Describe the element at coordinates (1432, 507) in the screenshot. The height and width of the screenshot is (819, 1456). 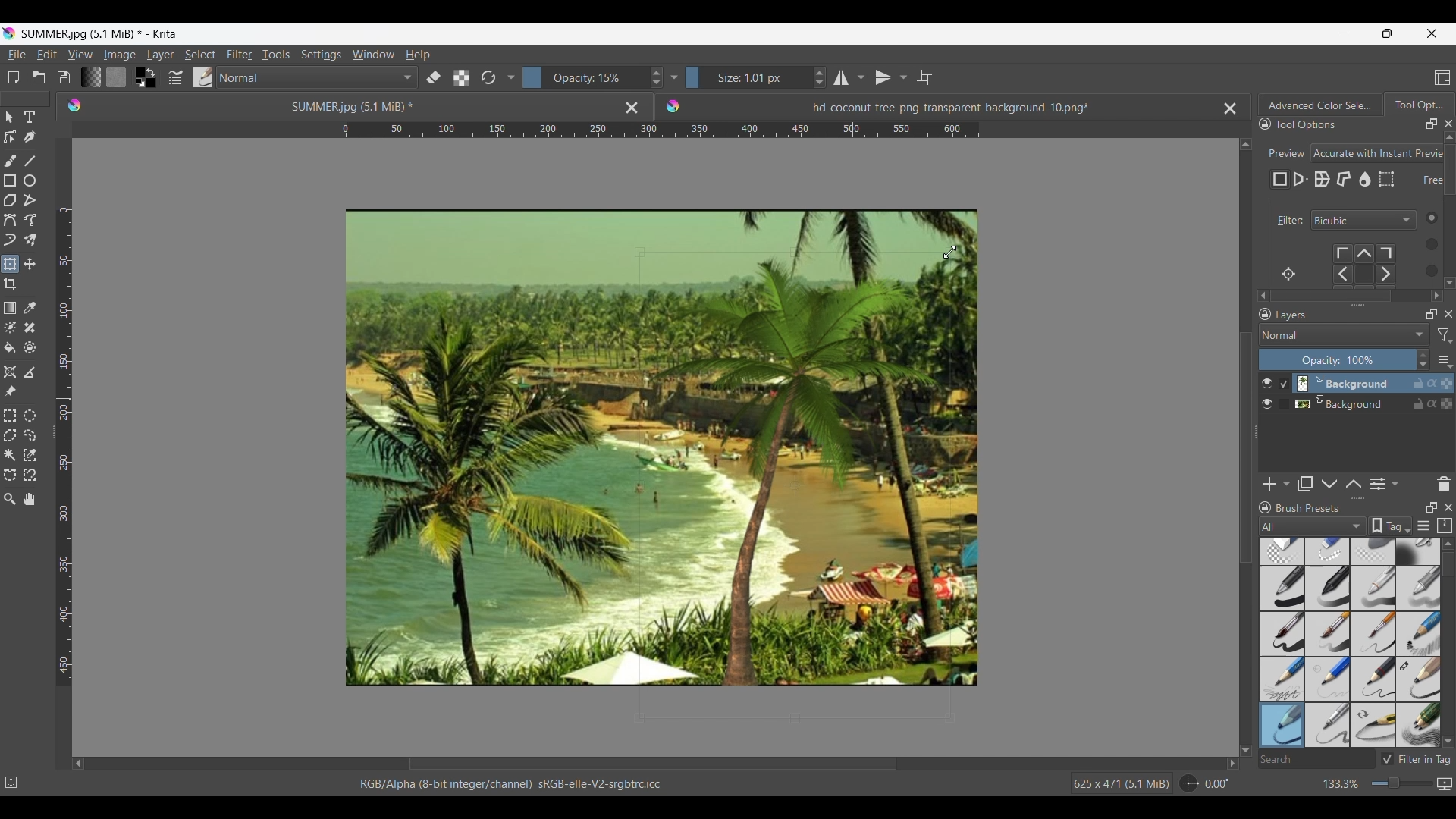
I see `Float Brush Presets panel` at that location.